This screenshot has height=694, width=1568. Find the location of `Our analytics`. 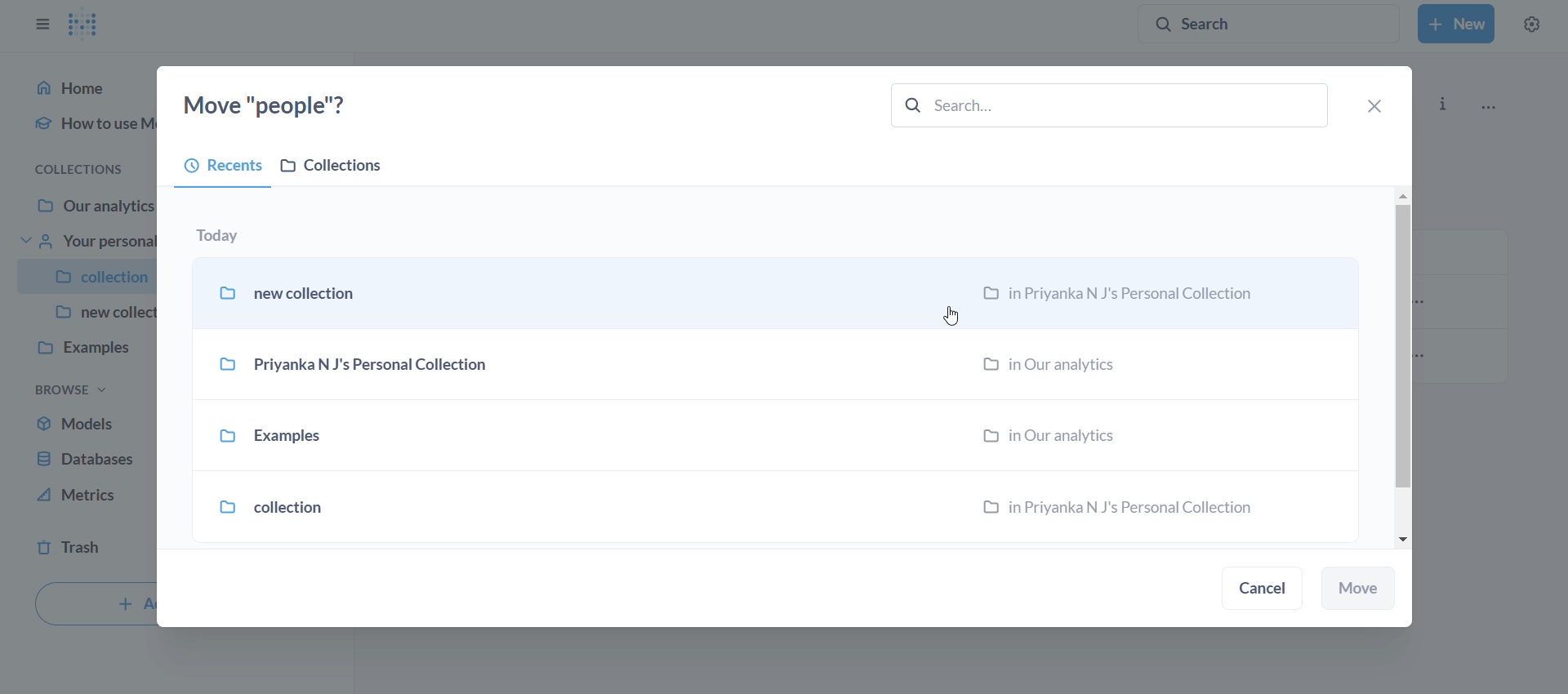

Our analytics is located at coordinates (87, 205).